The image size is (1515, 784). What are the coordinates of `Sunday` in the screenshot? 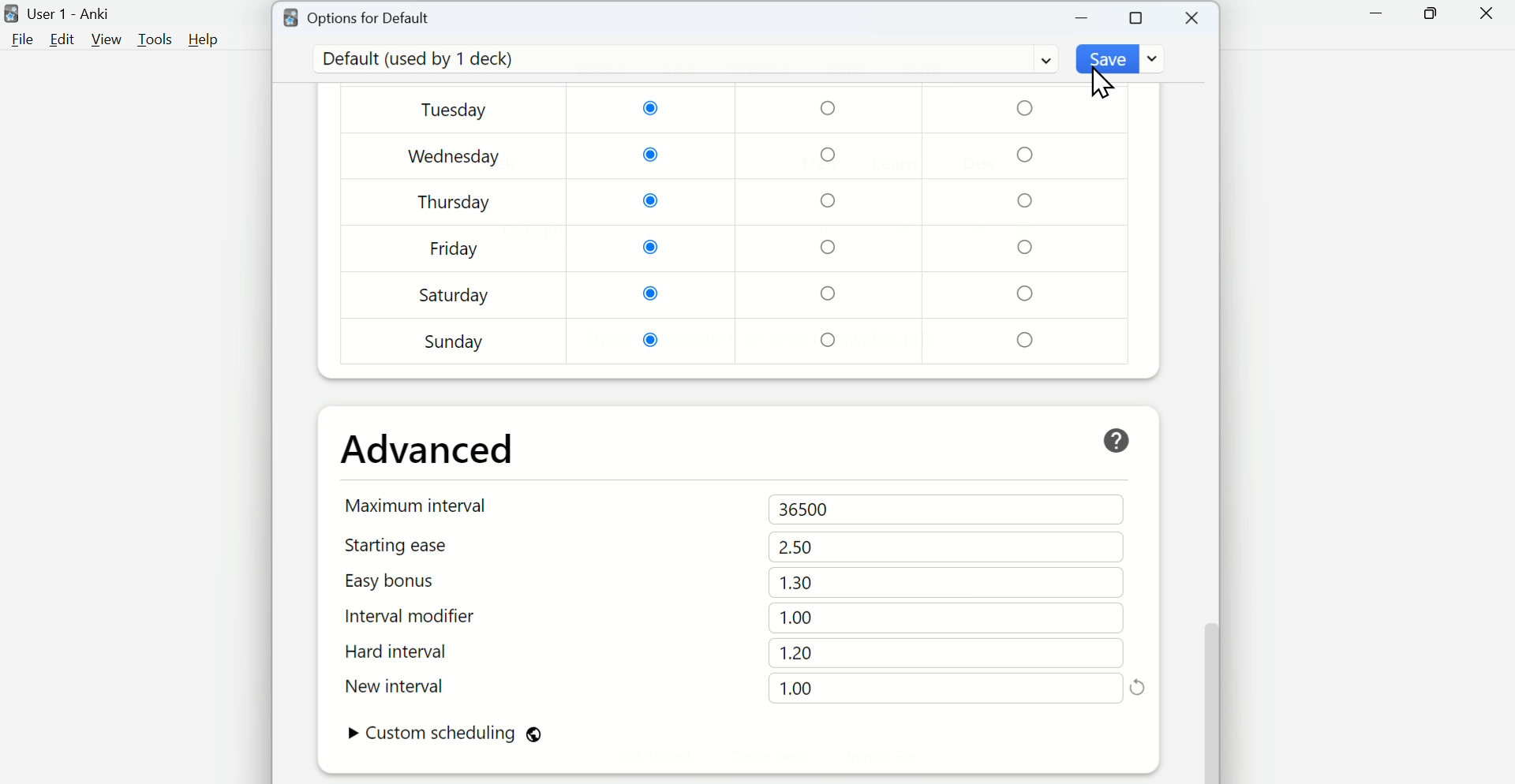 It's located at (455, 342).